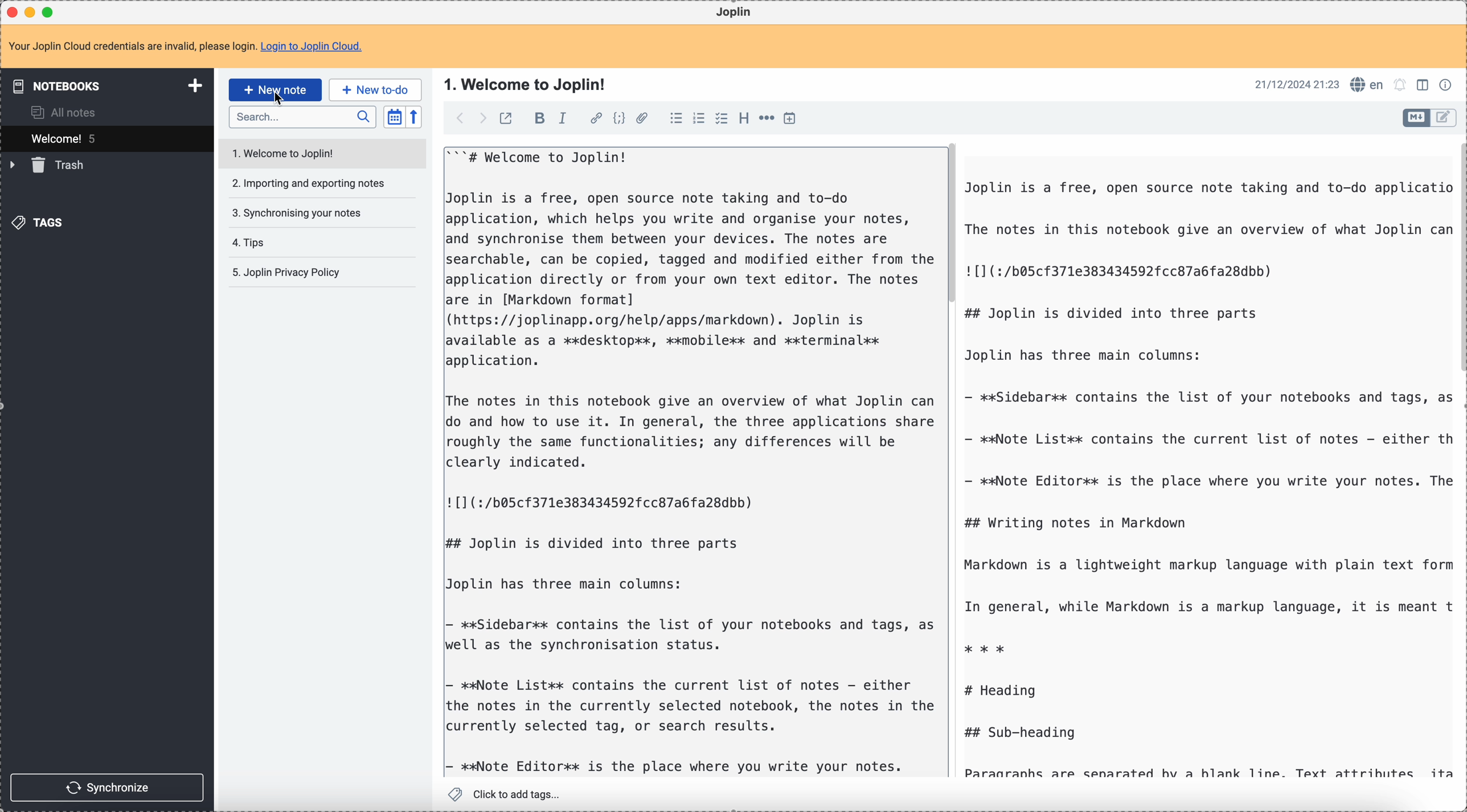 The height and width of the screenshot is (812, 1467). What do you see at coordinates (644, 119) in the screenshot?
I see `attach file` at bounding box center [644, 119].